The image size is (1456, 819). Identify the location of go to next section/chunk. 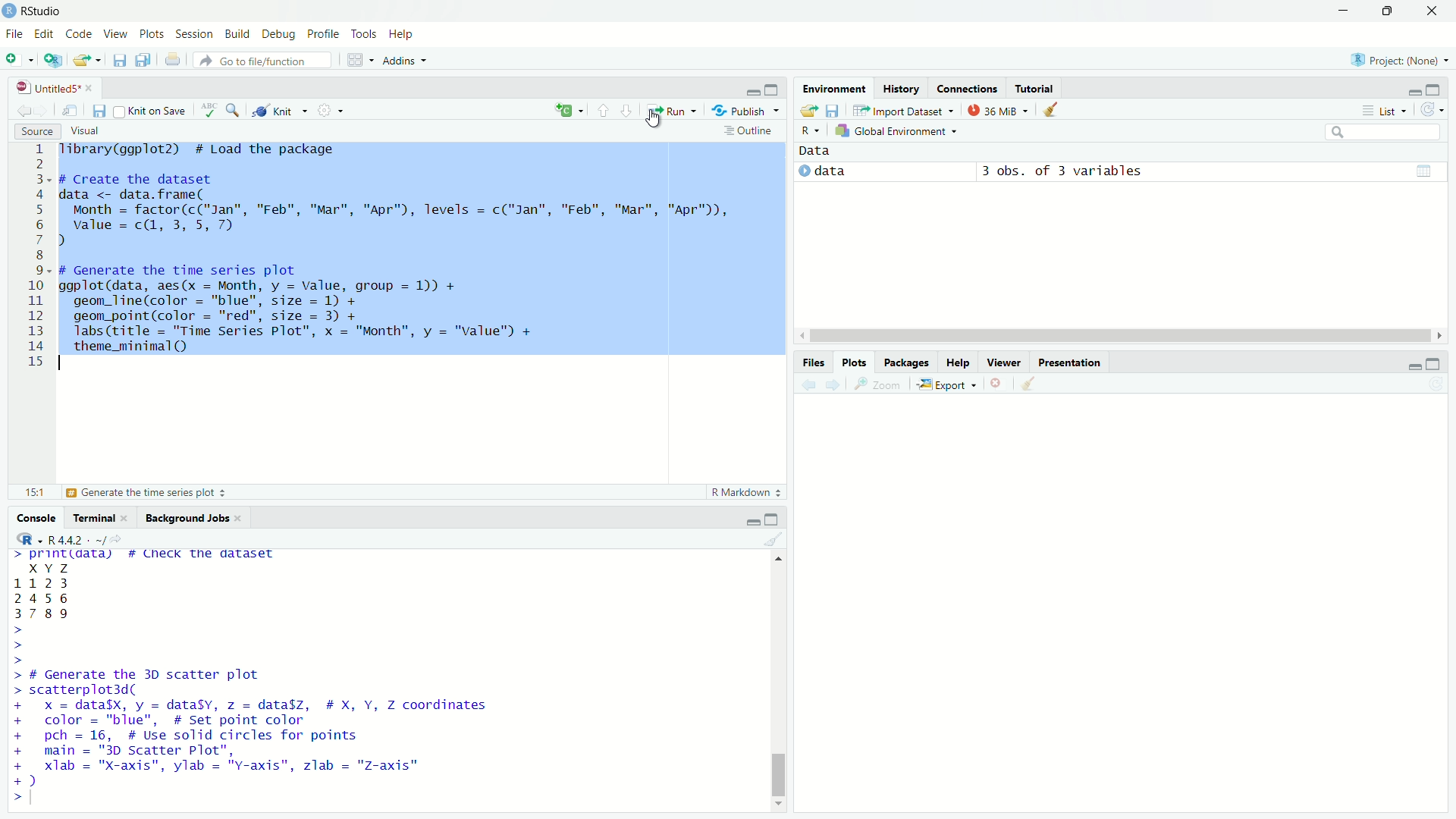
(627, 111).